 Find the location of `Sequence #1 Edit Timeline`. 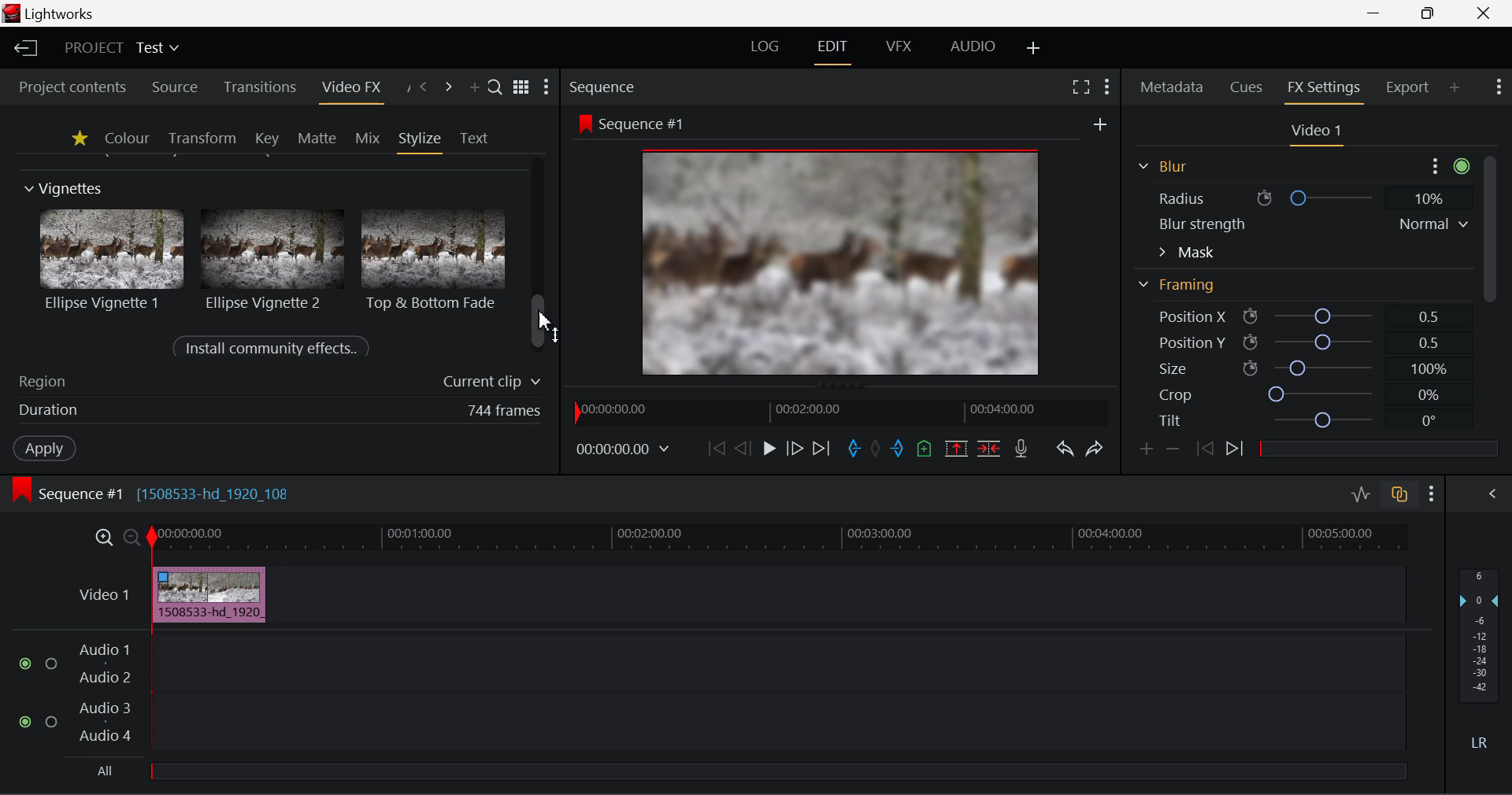

Sequence #1 Edit Timeline is located at coordinates (157, 492).